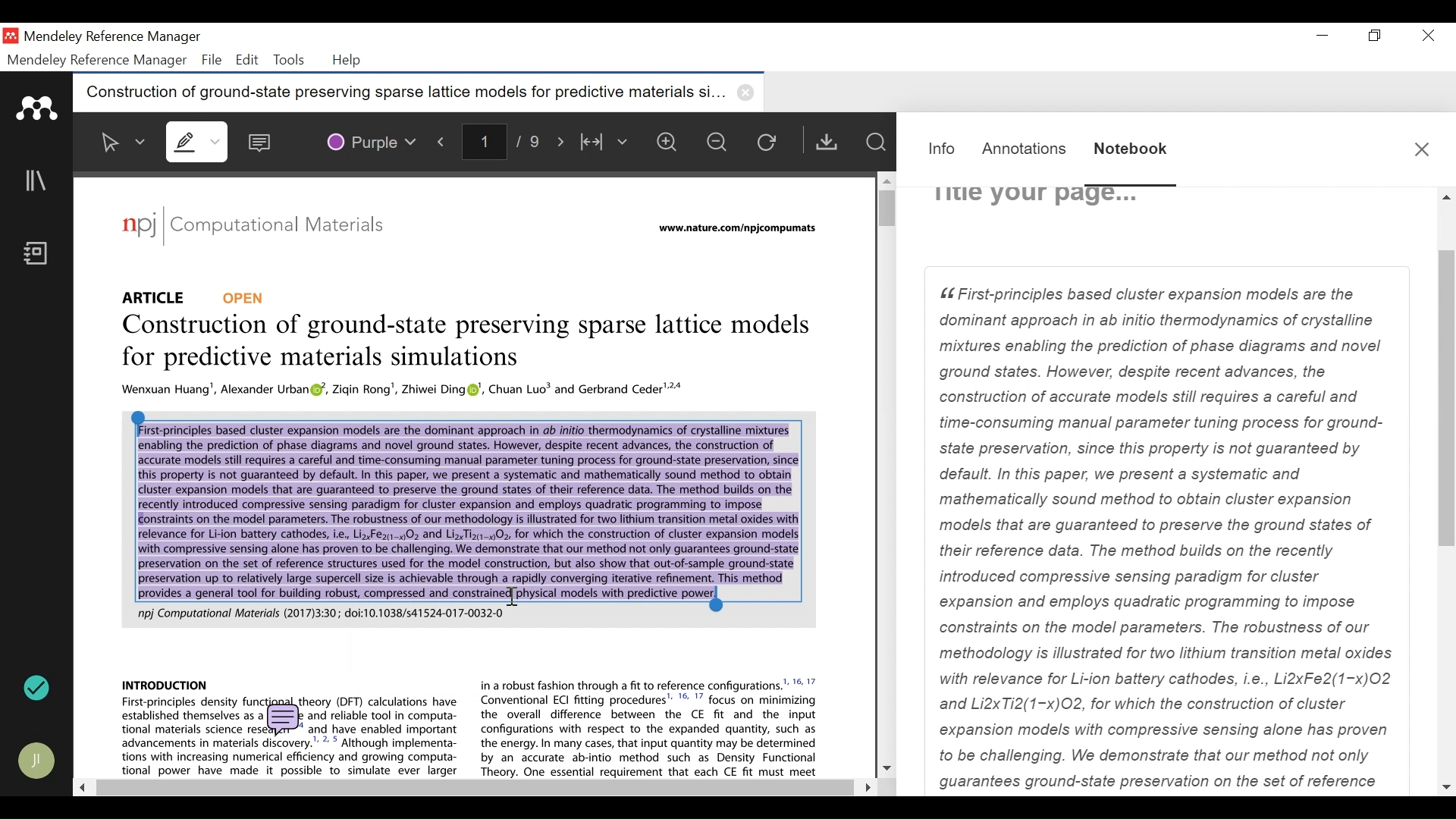 The image size is (1456, 819). I want to click on Scroll up, so click(1447, 199).